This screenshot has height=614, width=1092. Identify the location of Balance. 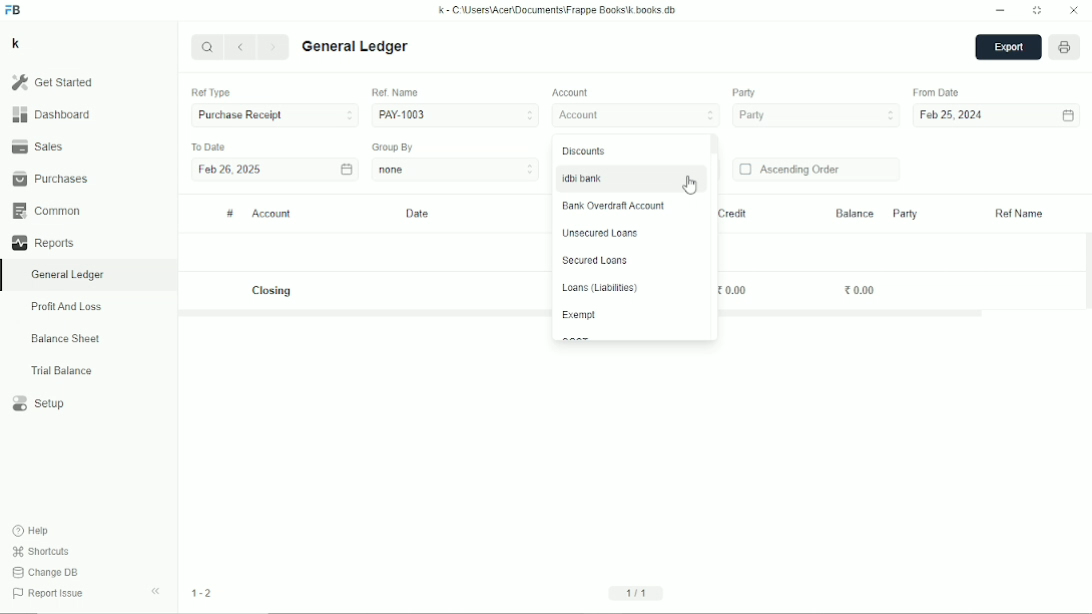
(854, 212).